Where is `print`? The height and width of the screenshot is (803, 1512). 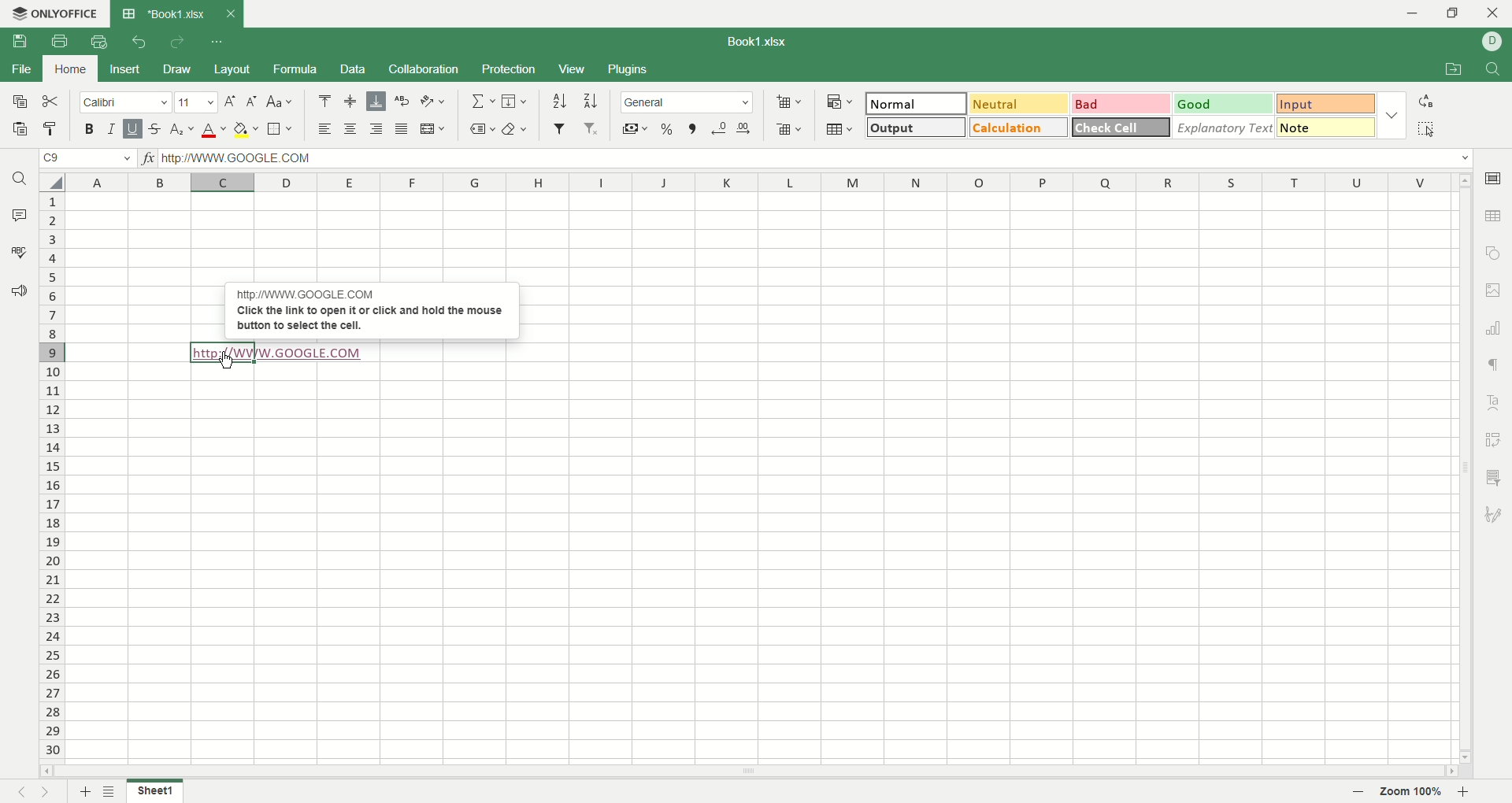
print is located at coordinates (57, 41).